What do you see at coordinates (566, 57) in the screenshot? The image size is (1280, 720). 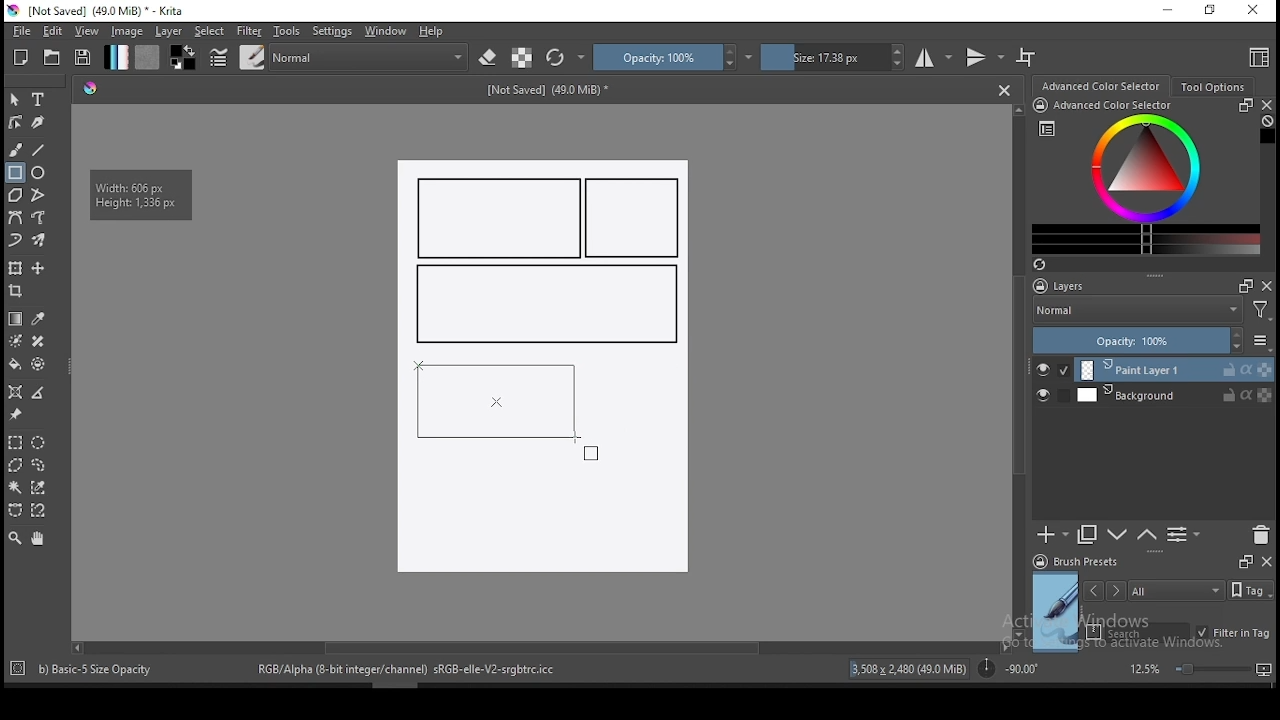 I see `reload original preset` at bounding box center [566, 57].